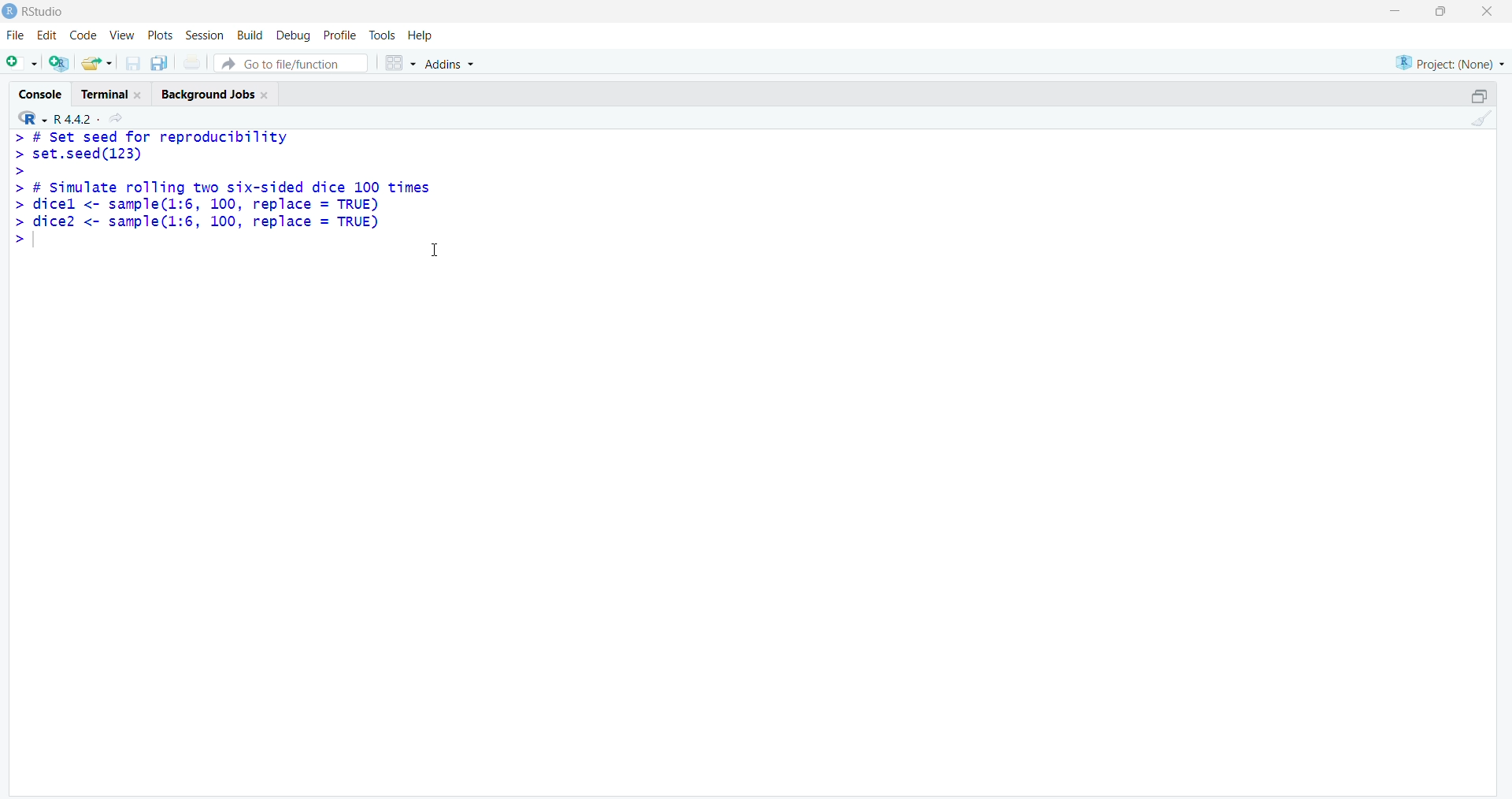 This screenshot has width=1512, height=799. What do you see at coordinates (47, 35) in the screenshot?
I see `edit` at bounding box center [47, 35].